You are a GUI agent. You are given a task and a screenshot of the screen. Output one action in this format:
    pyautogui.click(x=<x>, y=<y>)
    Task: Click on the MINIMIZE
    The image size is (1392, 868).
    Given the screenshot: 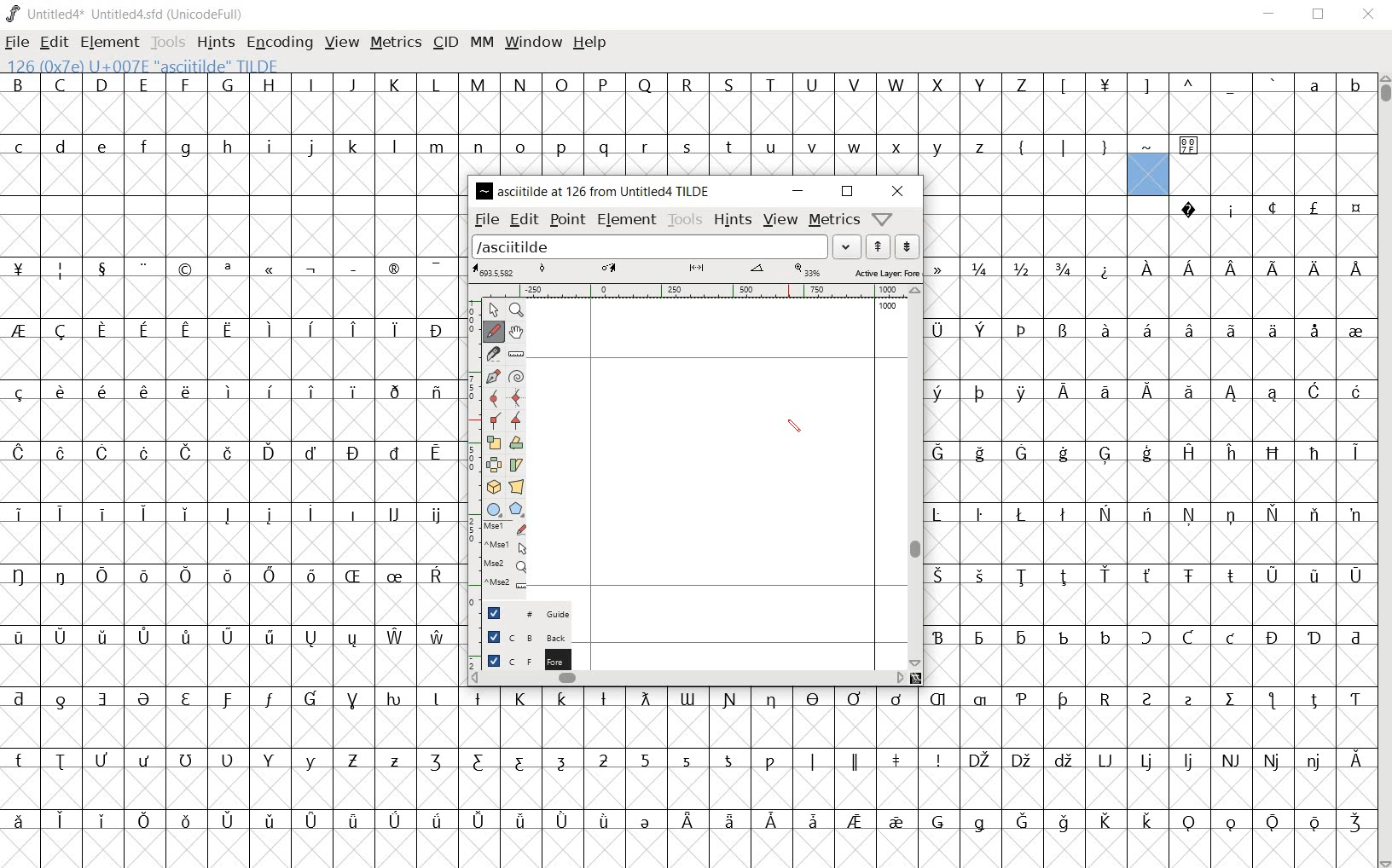 What is the action you would take?
    pyautogui.click(x=1272, y=16)
    